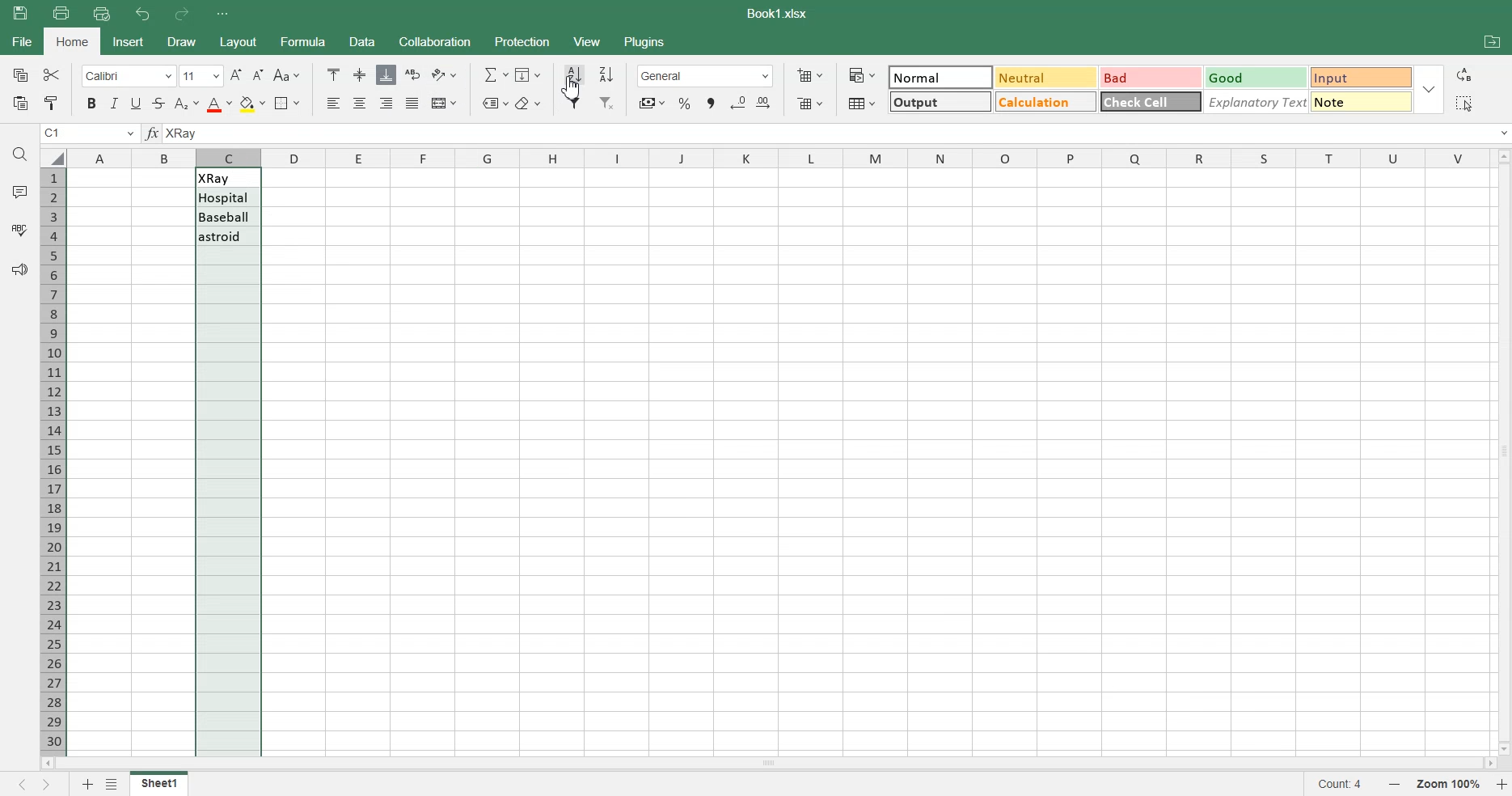 The image size is (1512, 796). I want to click on File, so click(159, 784).